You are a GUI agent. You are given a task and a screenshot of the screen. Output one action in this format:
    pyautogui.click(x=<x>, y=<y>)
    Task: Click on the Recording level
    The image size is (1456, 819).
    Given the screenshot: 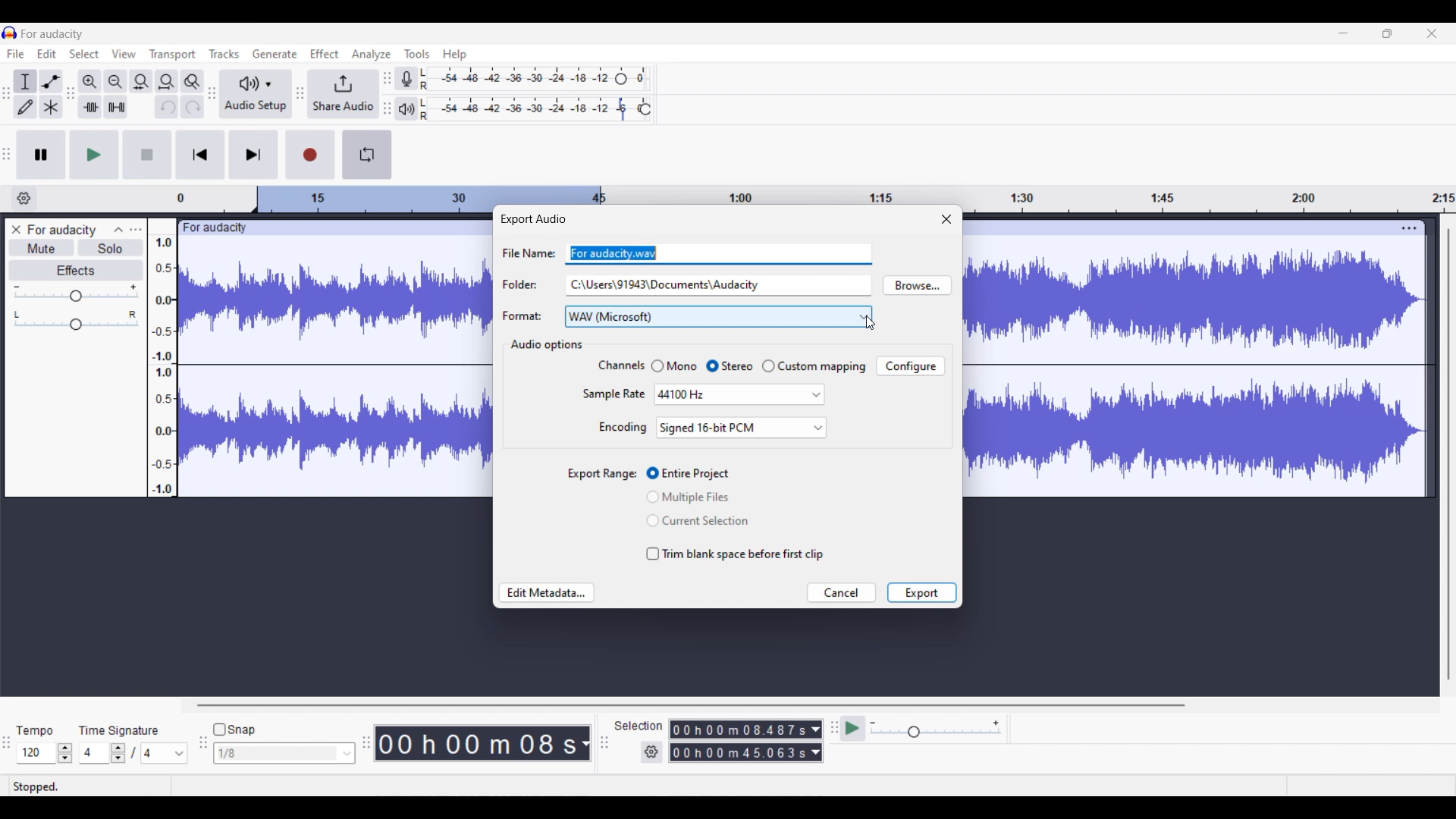 What is the action you would take?
    pyautogui.click(x=516, y=79)
    